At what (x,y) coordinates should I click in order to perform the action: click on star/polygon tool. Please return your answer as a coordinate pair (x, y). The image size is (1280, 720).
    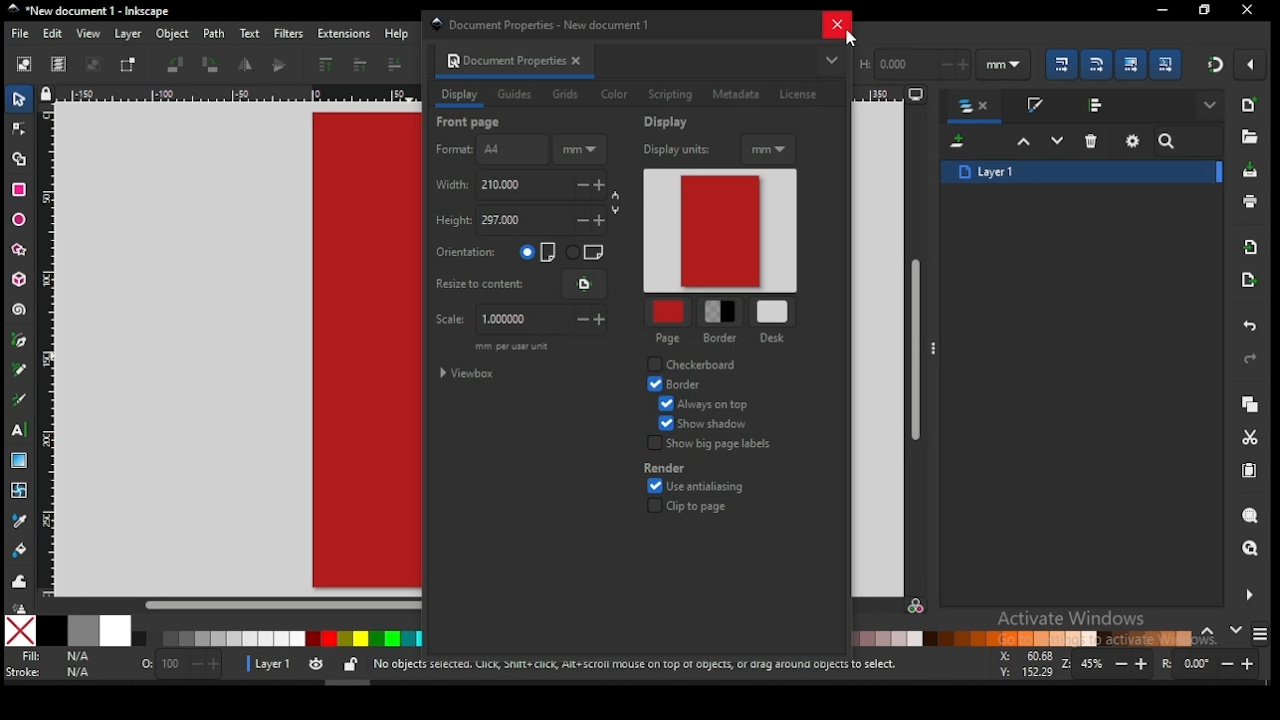
    Looking at the image, I should click on (20, 250).